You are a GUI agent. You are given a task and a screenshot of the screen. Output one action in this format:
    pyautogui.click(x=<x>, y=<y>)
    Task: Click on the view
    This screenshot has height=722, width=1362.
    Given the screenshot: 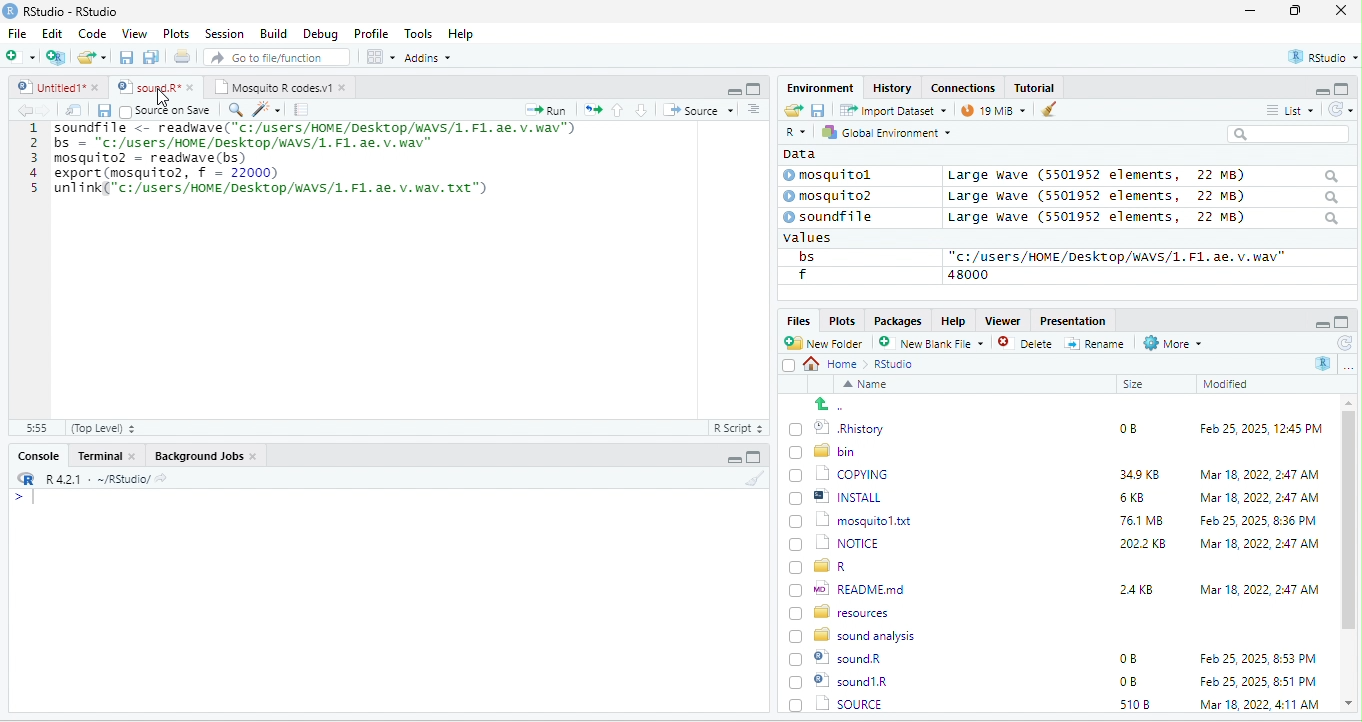 What is the action you would take?
    pyautogui.click(x=380, y=57)
    